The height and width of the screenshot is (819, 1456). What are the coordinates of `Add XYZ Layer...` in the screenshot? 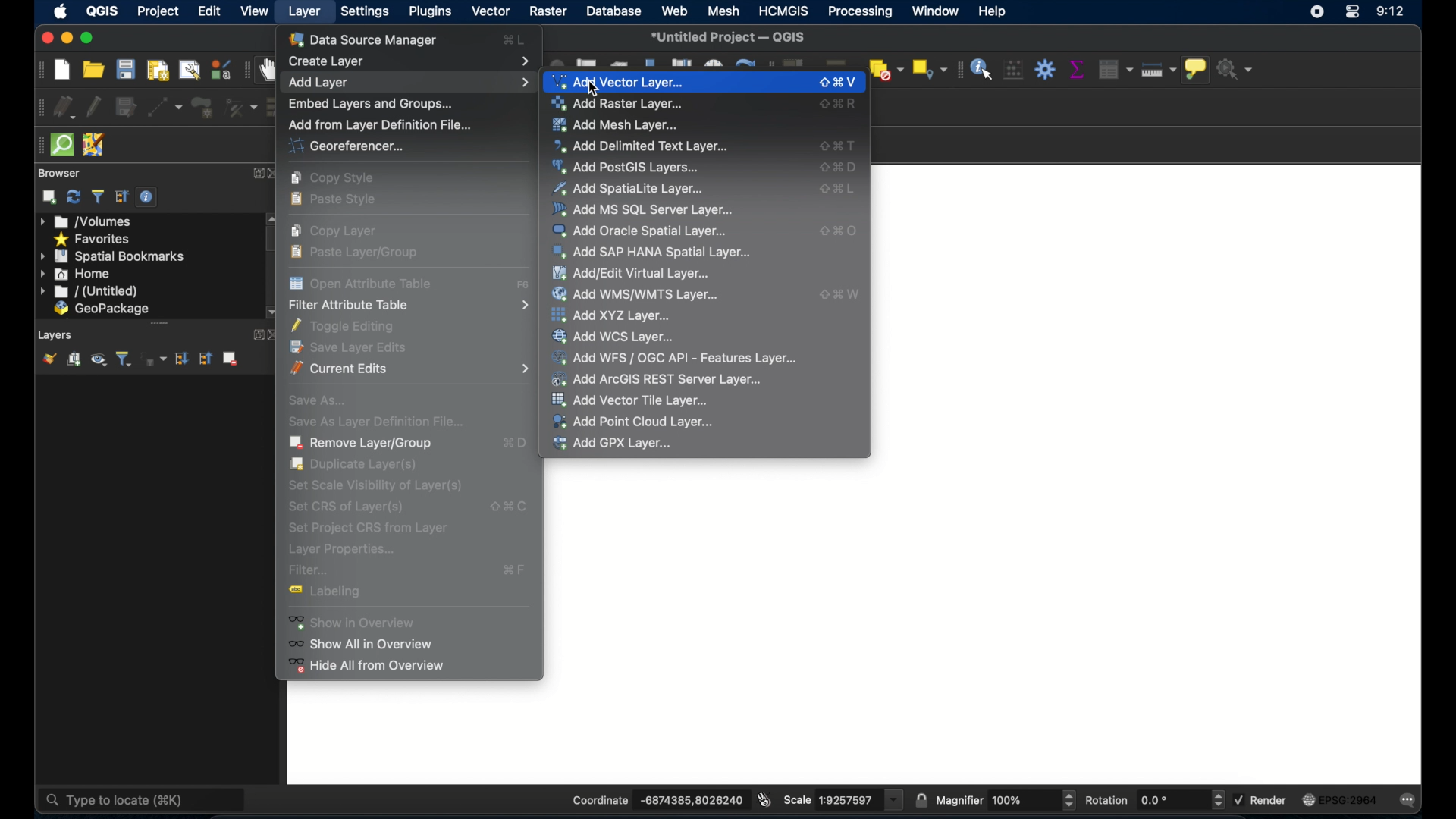 It's located at (645, 316).